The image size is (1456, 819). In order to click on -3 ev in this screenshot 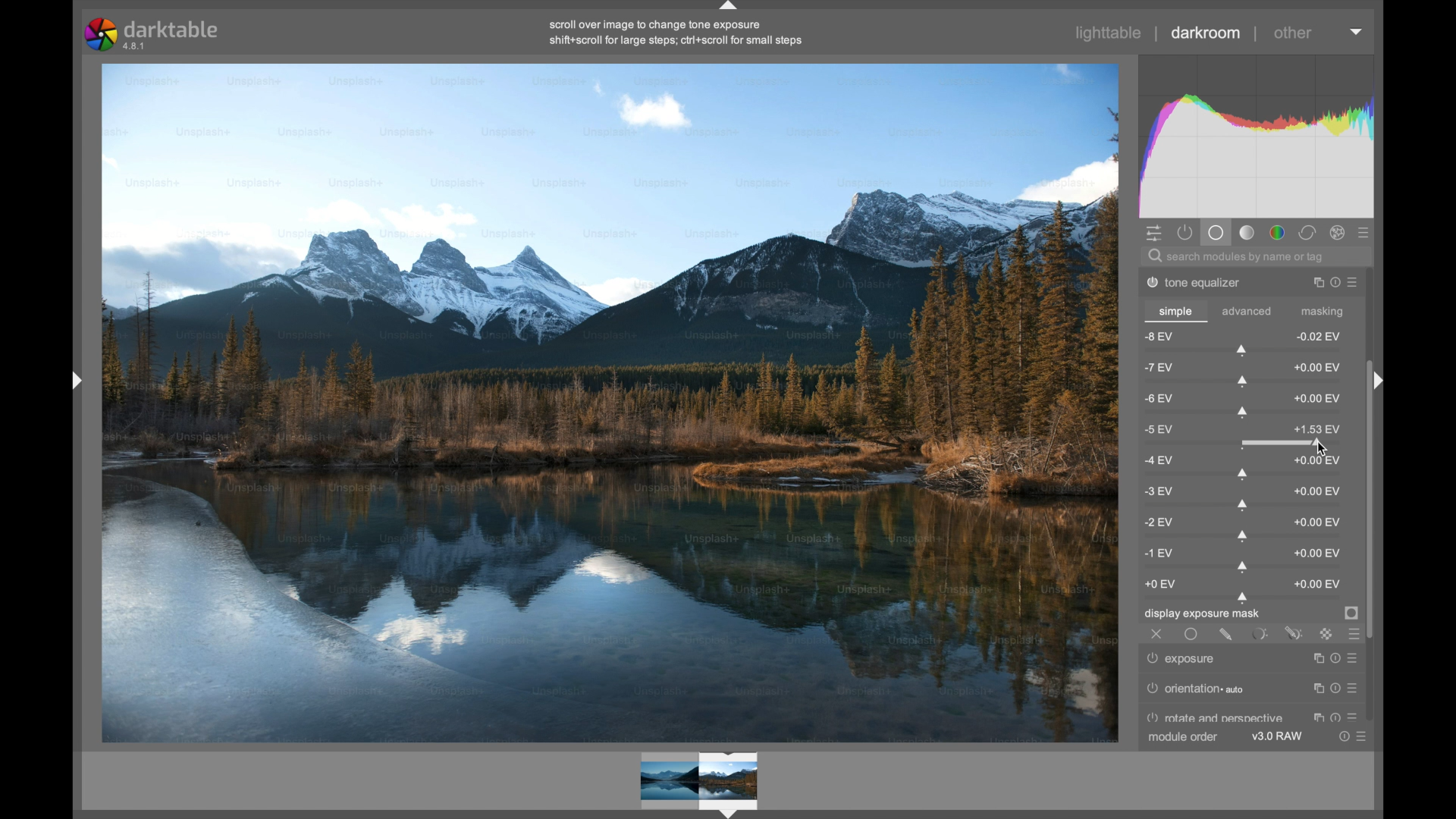, I will do `click(1158, 491)`.